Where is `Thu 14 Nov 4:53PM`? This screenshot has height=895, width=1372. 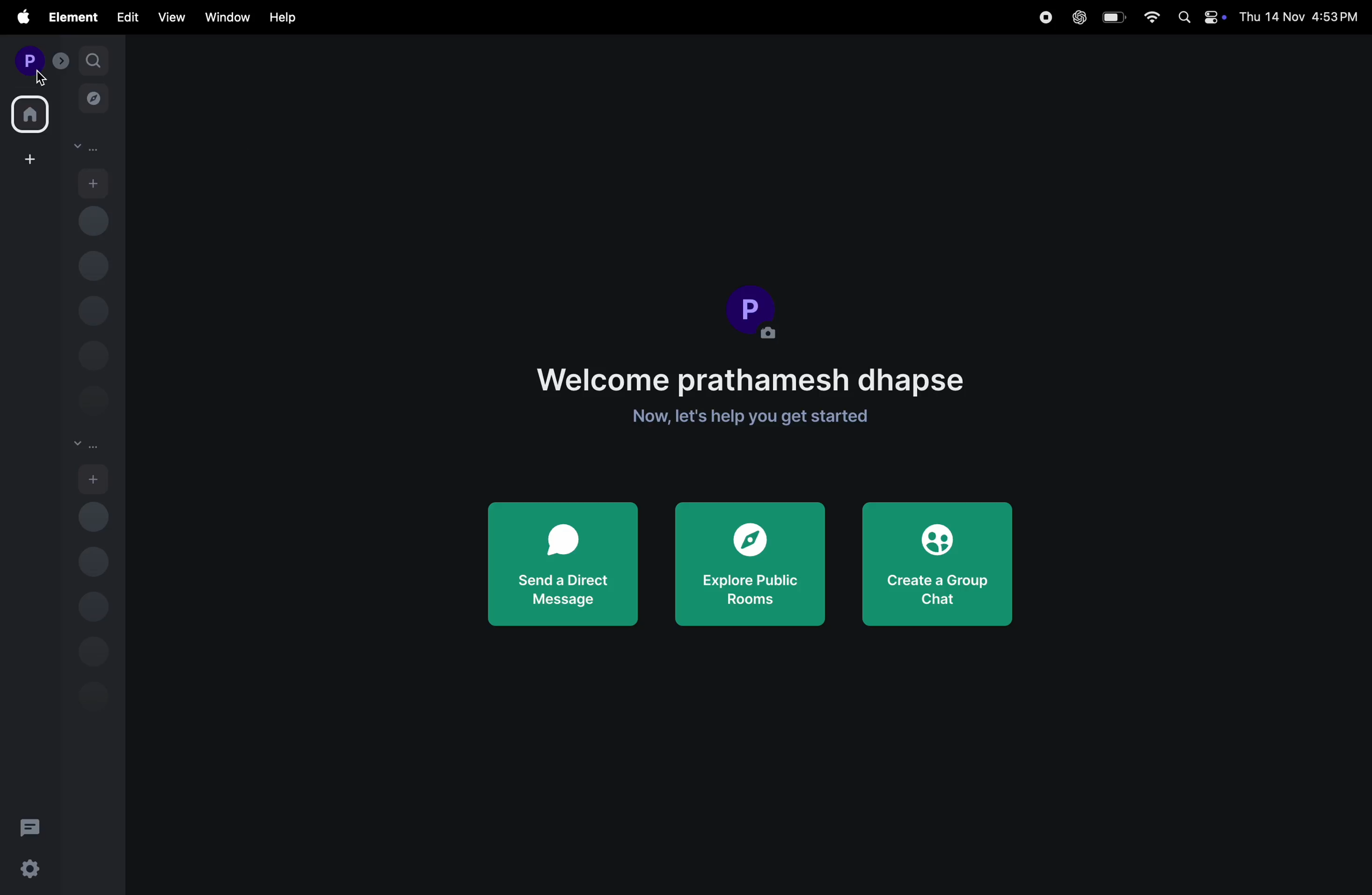 Thu 14 Nov 4:53PM is located at coordinates (1300, 16).